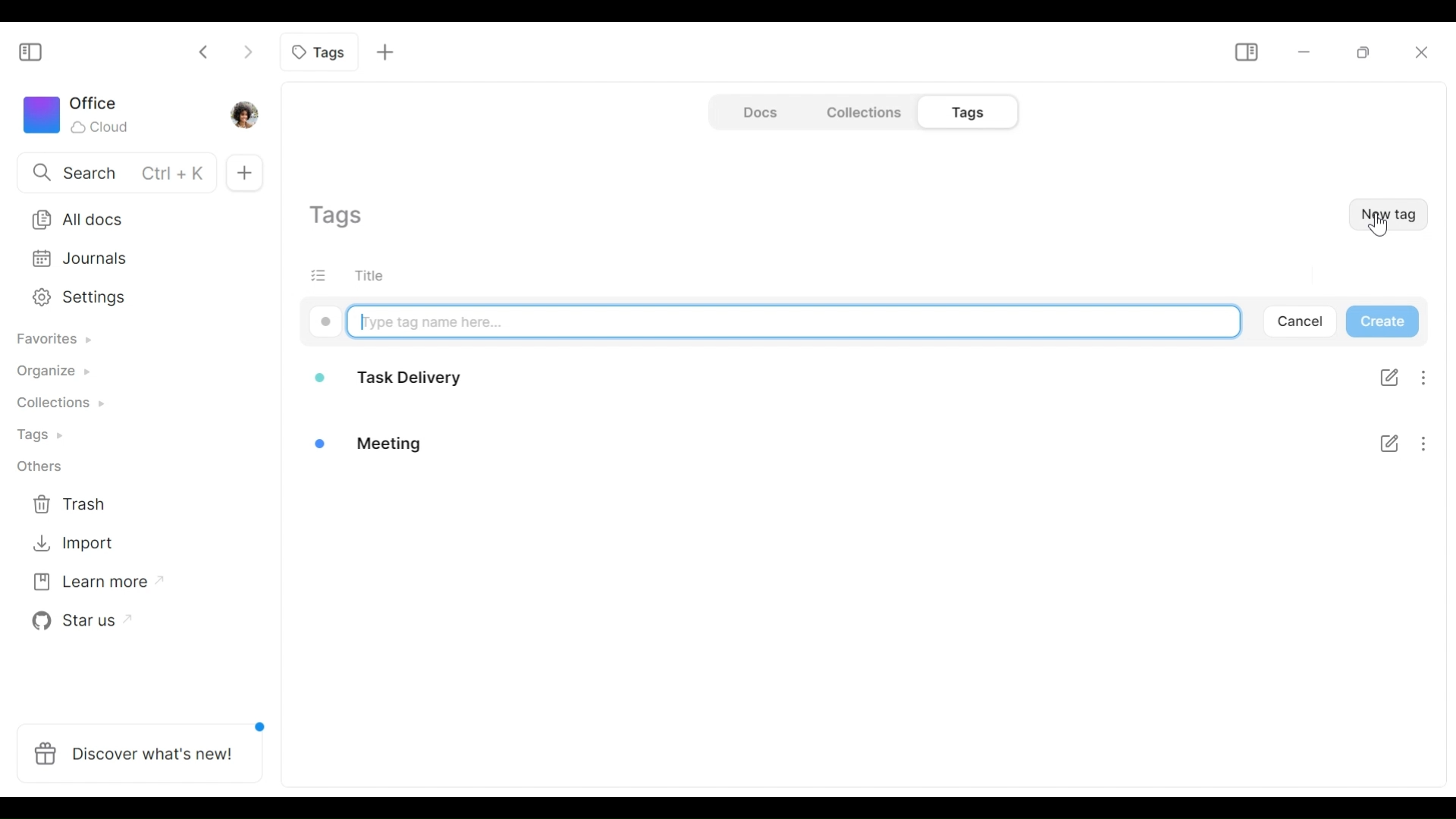 This screenshot has height=819, width=1456. Describe the element at coordinates (110, 174) in the screenshot. I see `Search` at that location.